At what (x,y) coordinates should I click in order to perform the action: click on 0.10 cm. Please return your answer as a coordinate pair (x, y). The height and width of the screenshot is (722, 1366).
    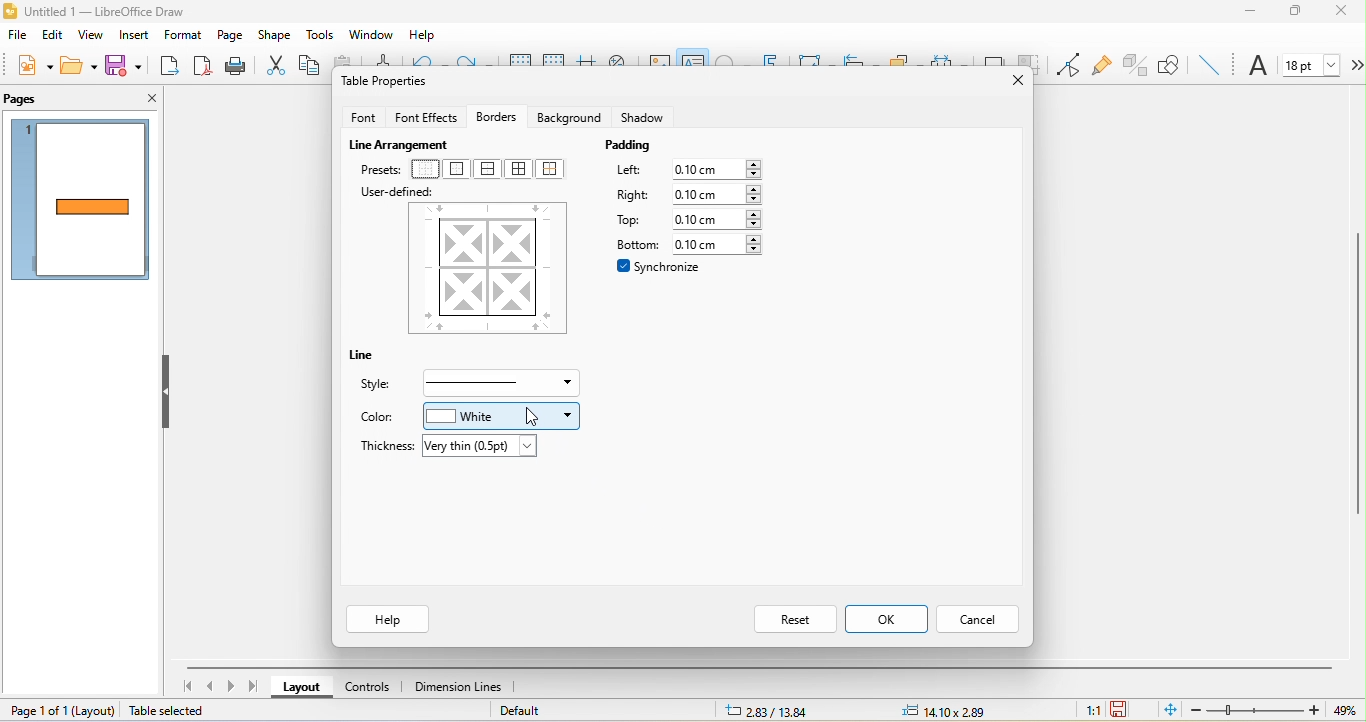
    Looking at the image, I should click on (722, 242).